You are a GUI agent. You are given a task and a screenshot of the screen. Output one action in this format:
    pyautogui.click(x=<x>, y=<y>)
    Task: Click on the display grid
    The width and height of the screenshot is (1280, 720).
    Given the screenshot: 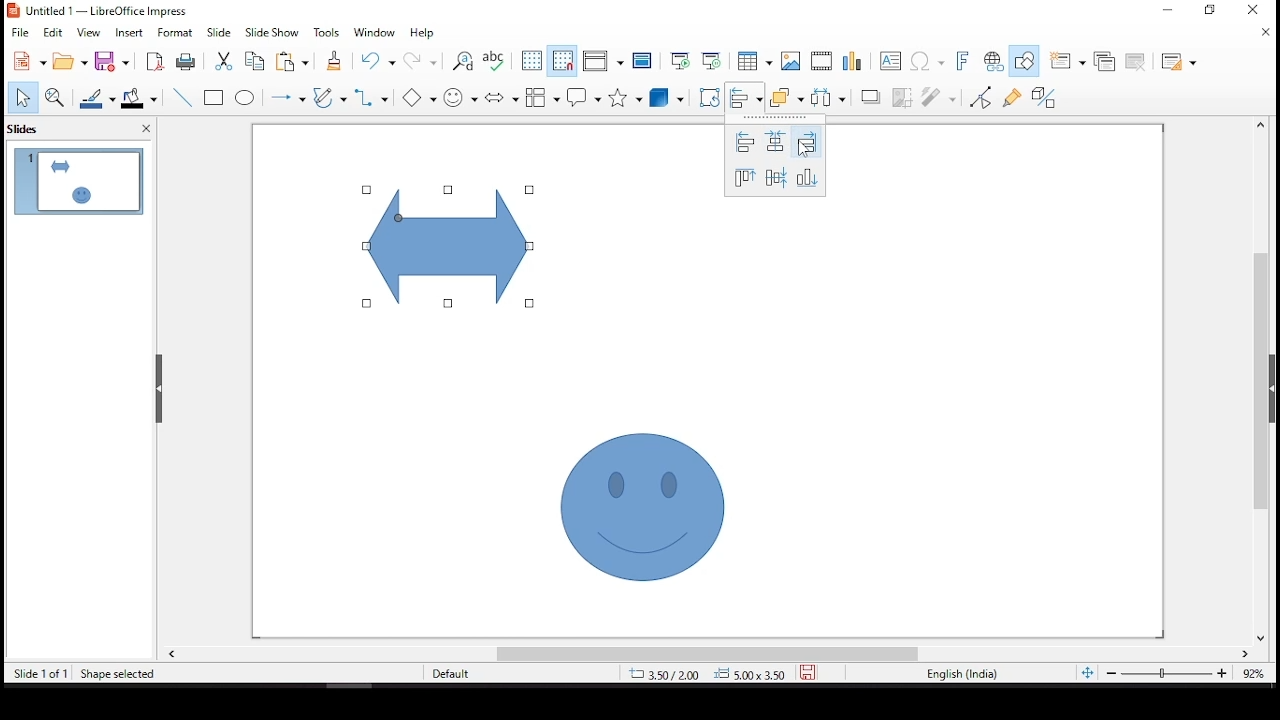 What is the action you would take?
    pyautogui.click(x=531, y=62)
    